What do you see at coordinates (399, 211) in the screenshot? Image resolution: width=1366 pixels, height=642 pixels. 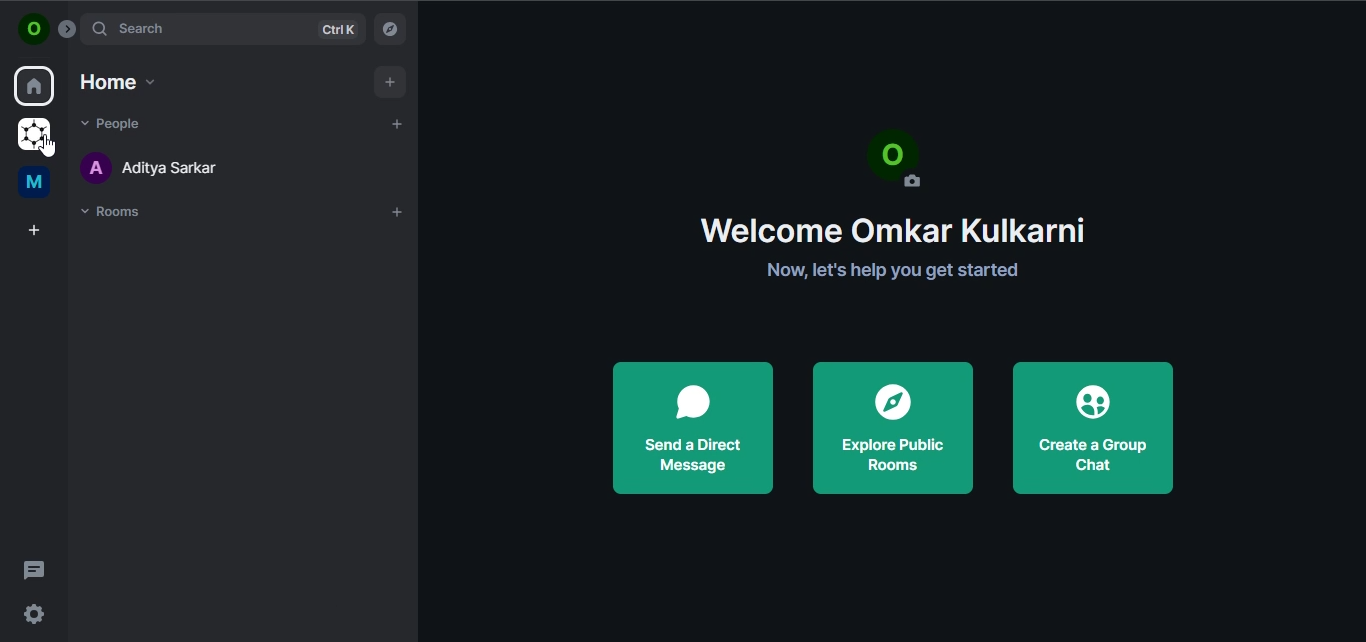 I see `add room ` at bounding box center [399, 211].